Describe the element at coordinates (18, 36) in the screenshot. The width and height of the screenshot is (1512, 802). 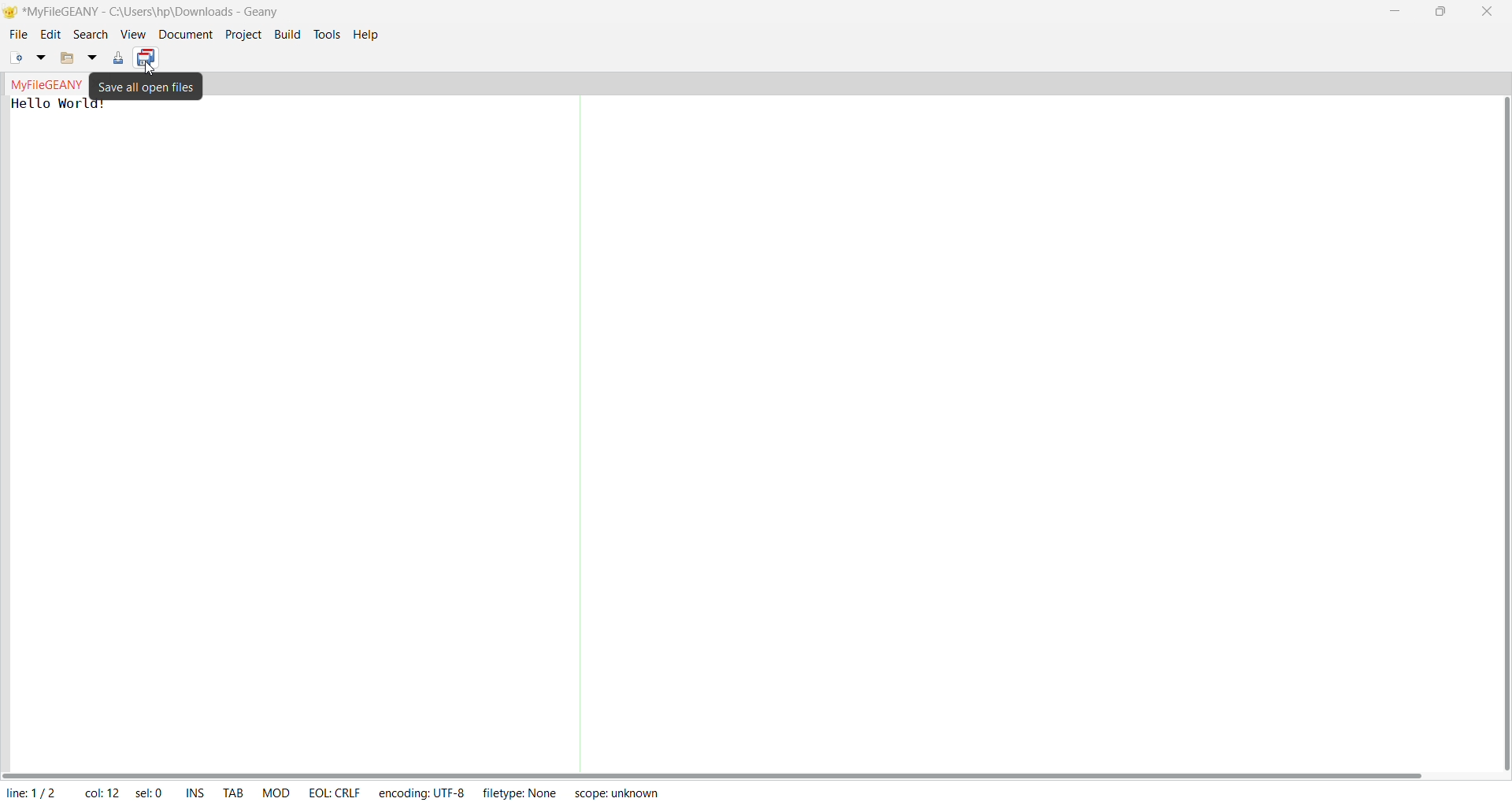
I see `File` at that location.